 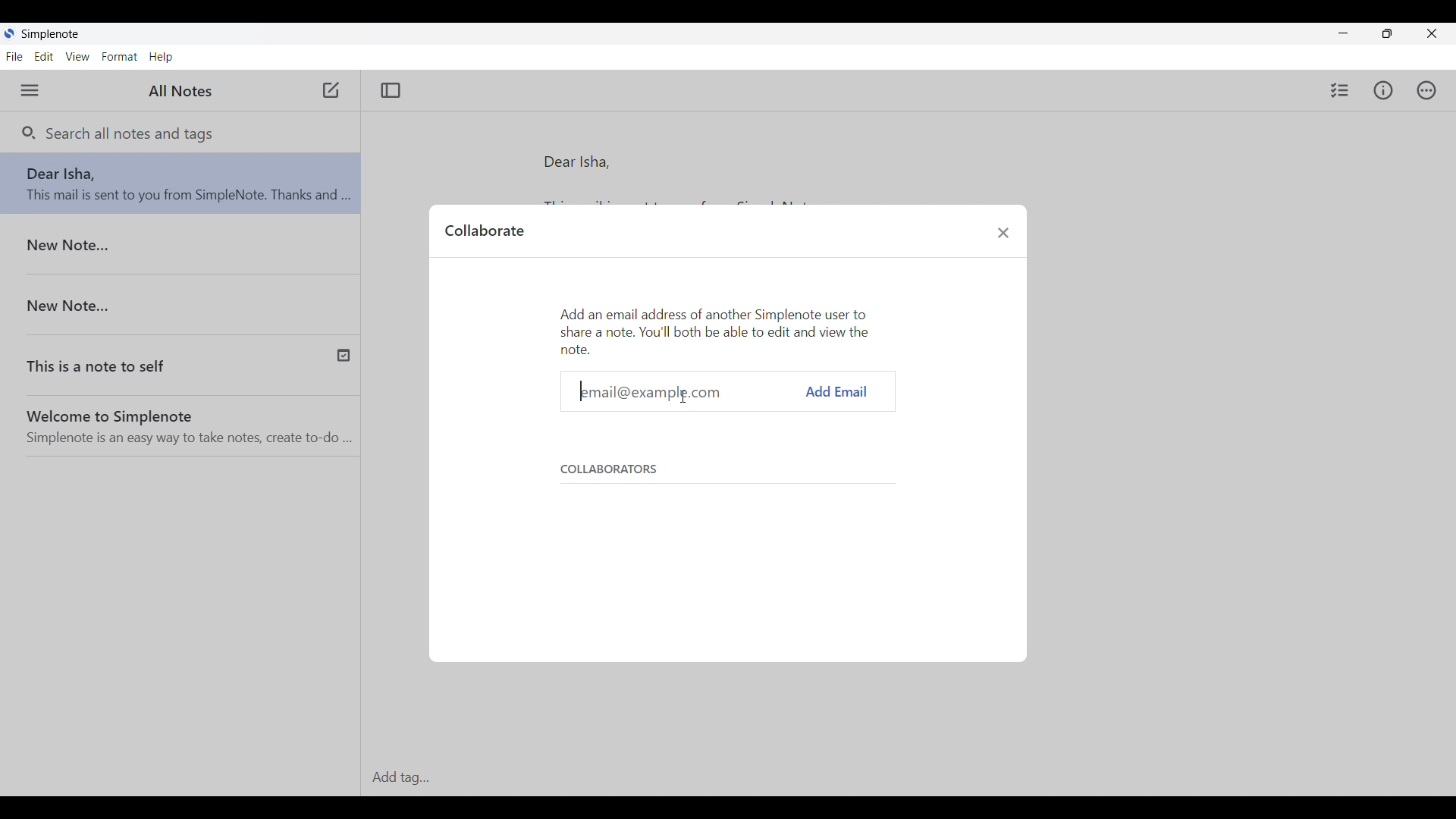 What do you see at coordinates (58, 33) in the screenshot?
I see `Simplenote ` at bounding box center [58, 33].